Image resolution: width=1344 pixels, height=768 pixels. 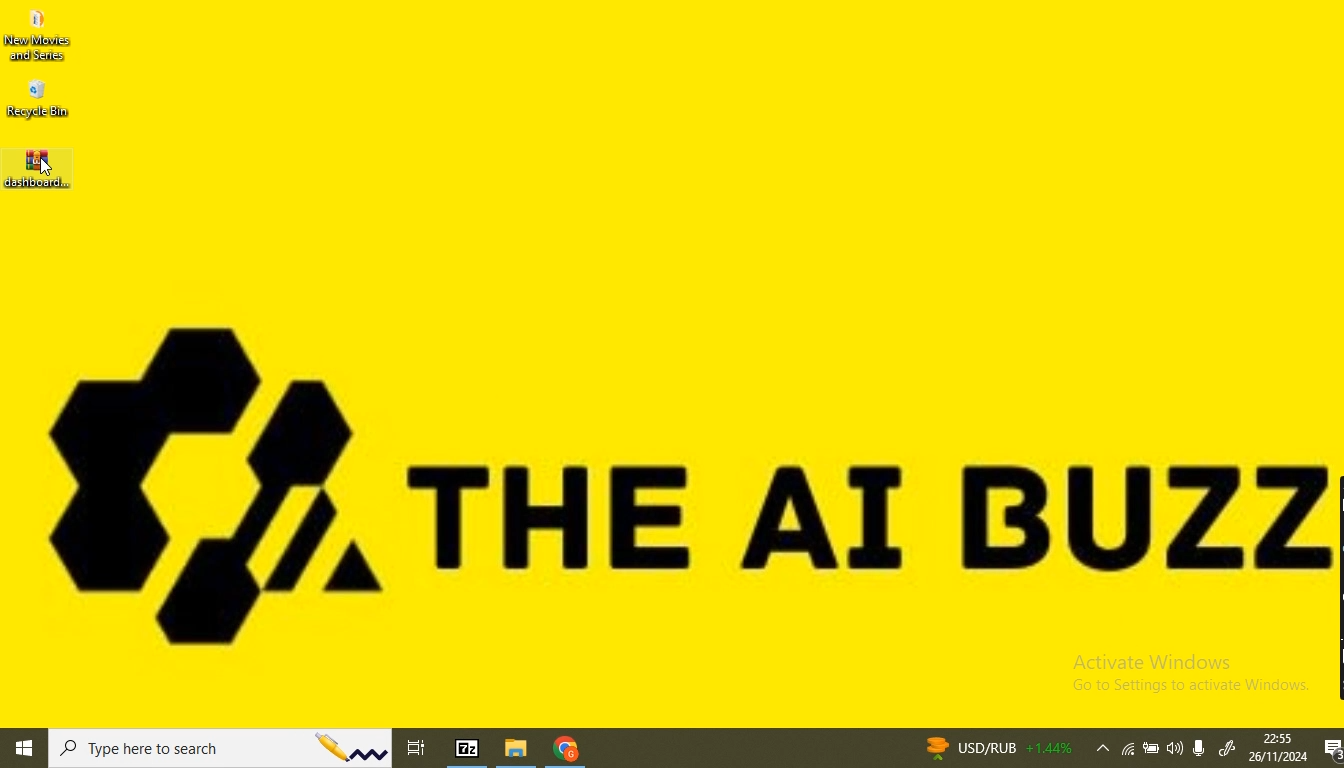 I want to click on battery, so click(x=1152, y=751).